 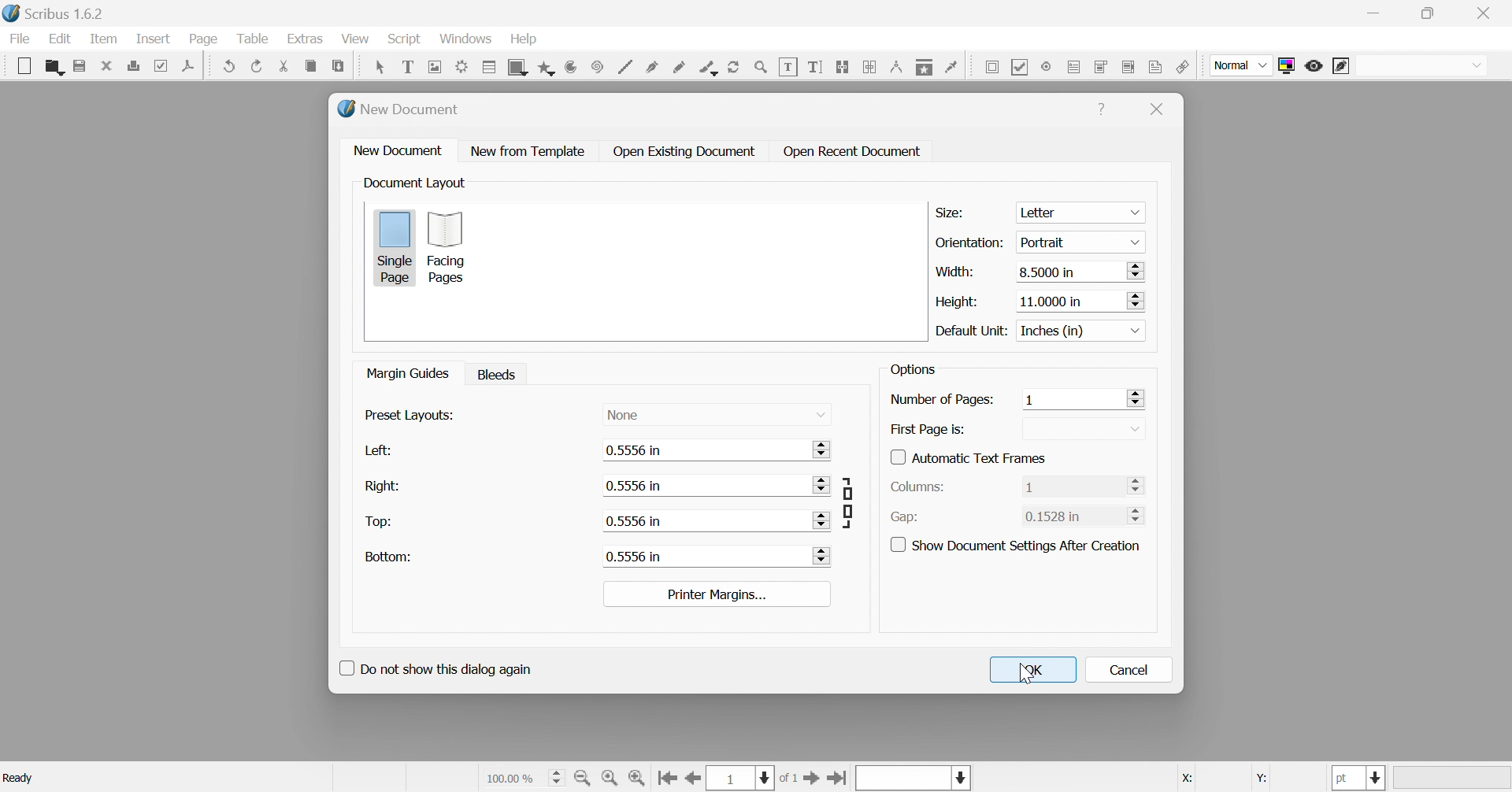 I want to click on page, so click(x=204, y=39).